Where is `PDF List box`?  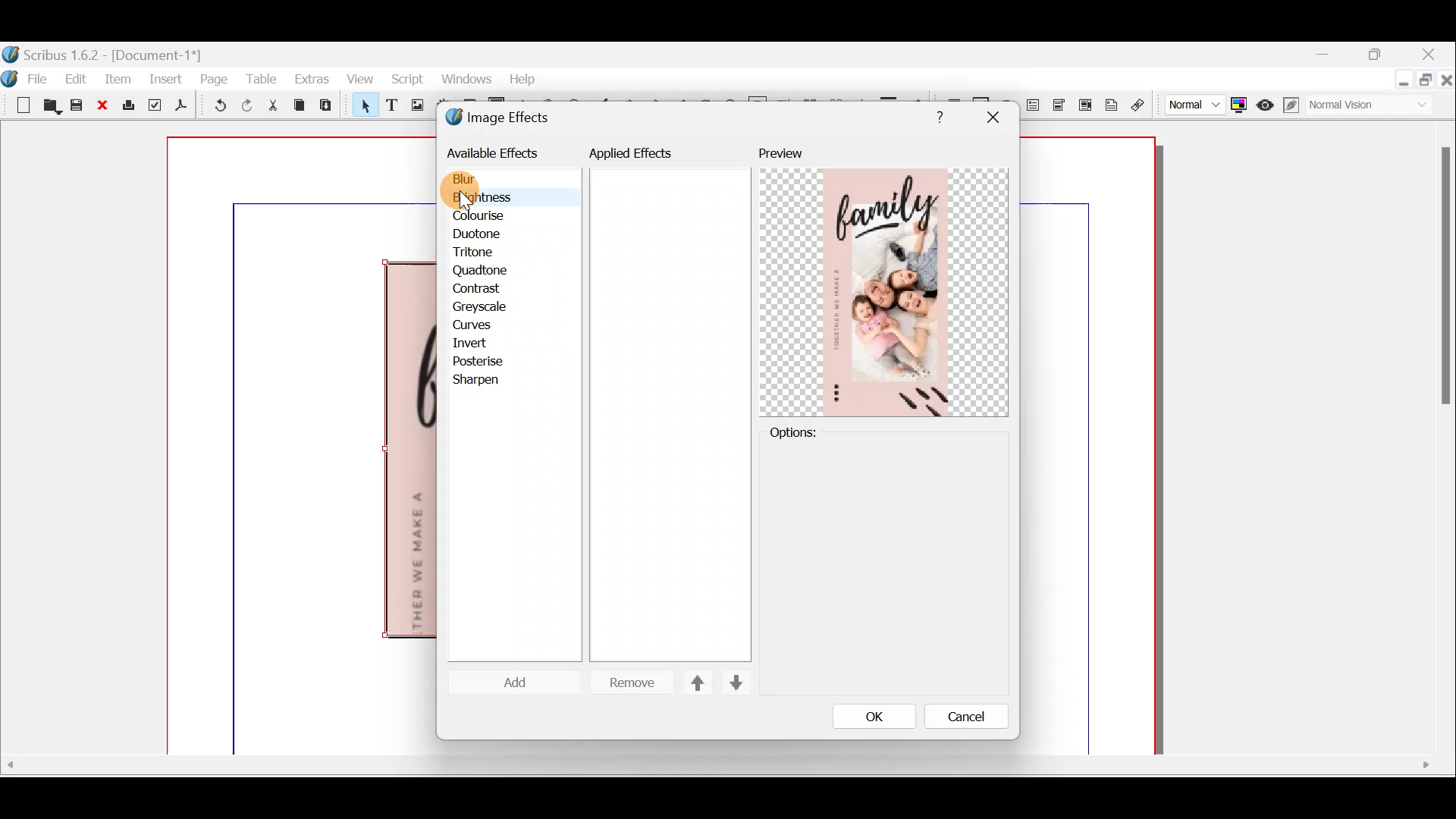 PDF List box is located at coordinates (1085, 103).